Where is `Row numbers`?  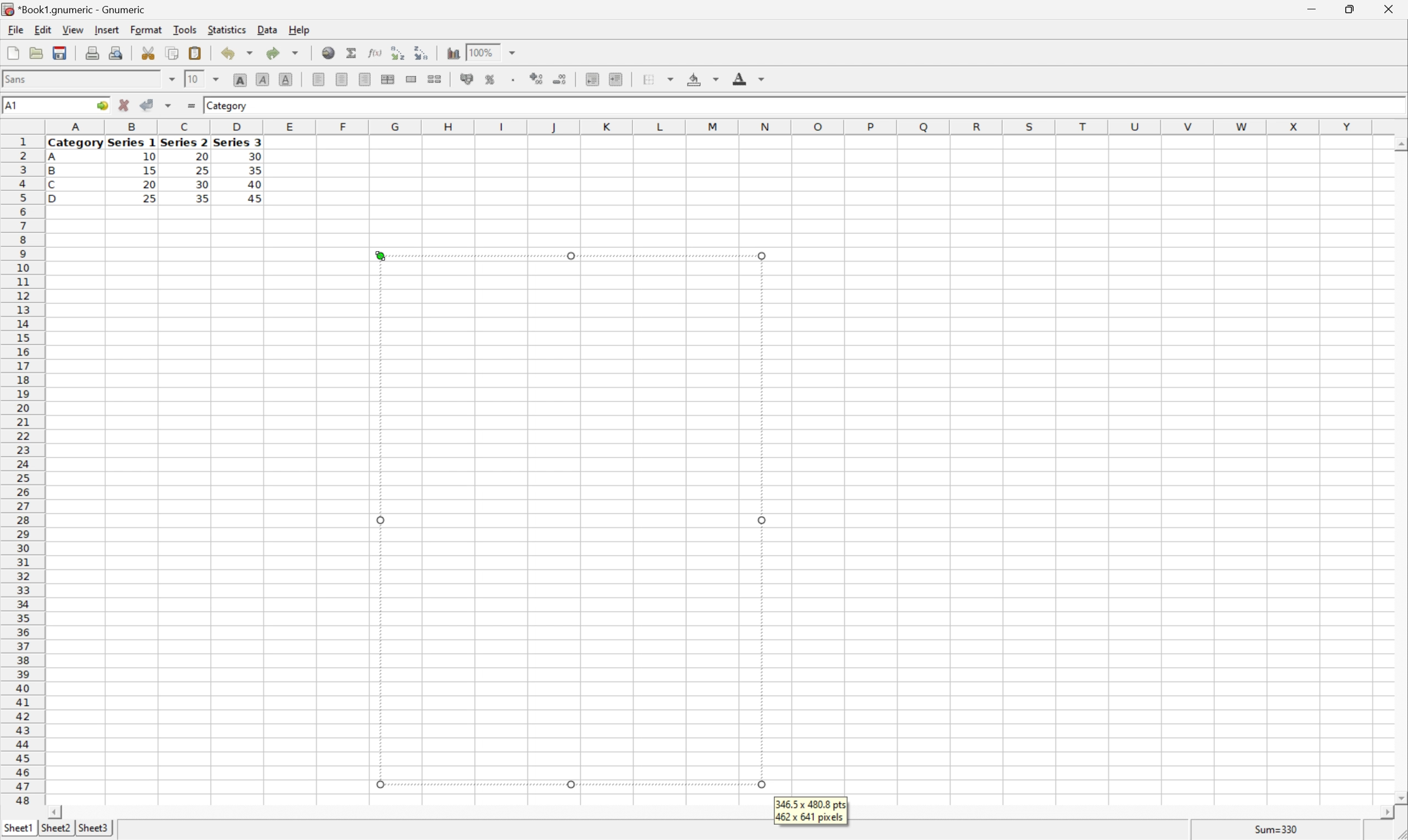 Row numbers is located at coordinates (21, 470).